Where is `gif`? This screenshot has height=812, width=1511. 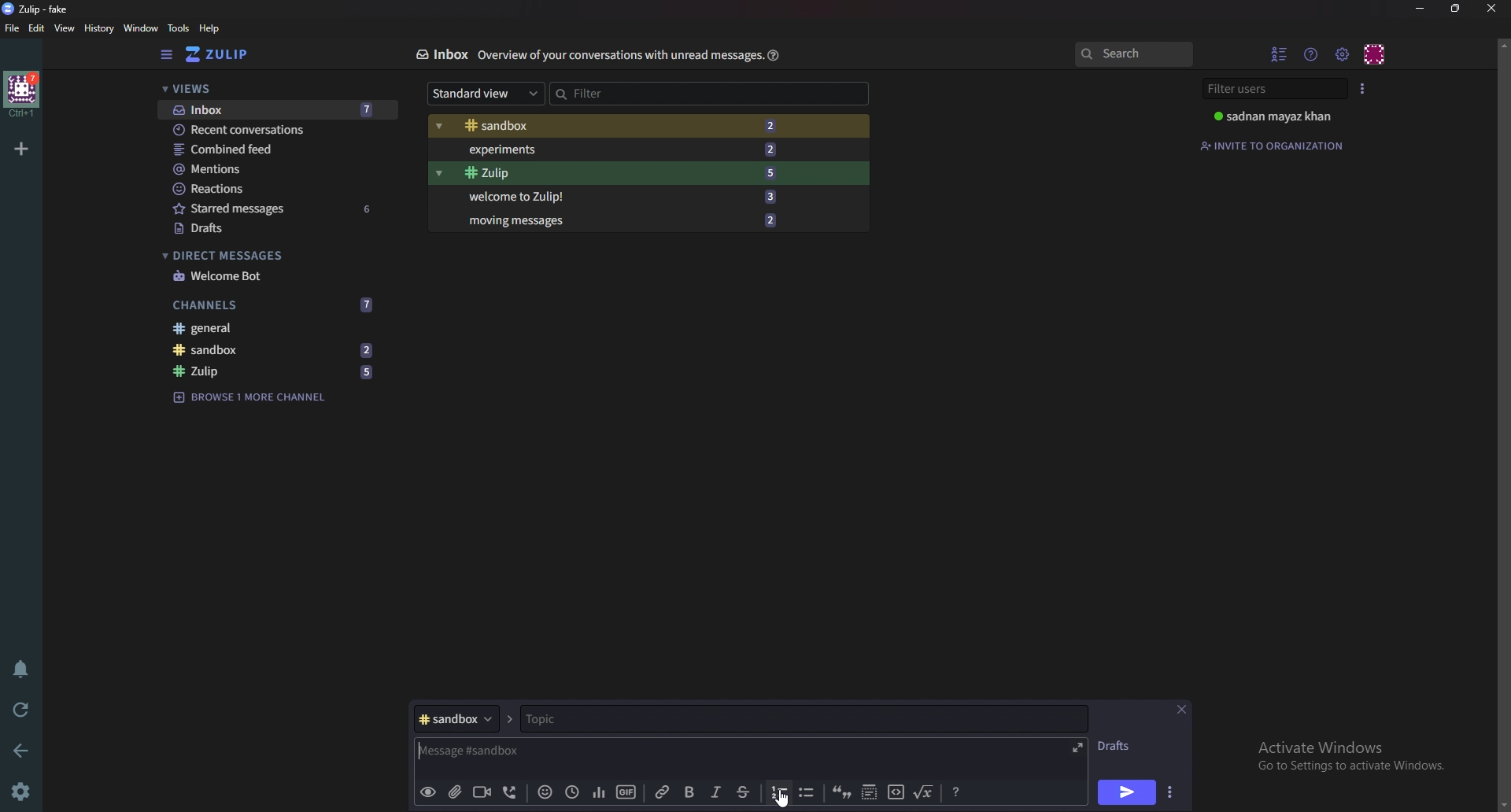
gif is located at coordinates (625, 790).